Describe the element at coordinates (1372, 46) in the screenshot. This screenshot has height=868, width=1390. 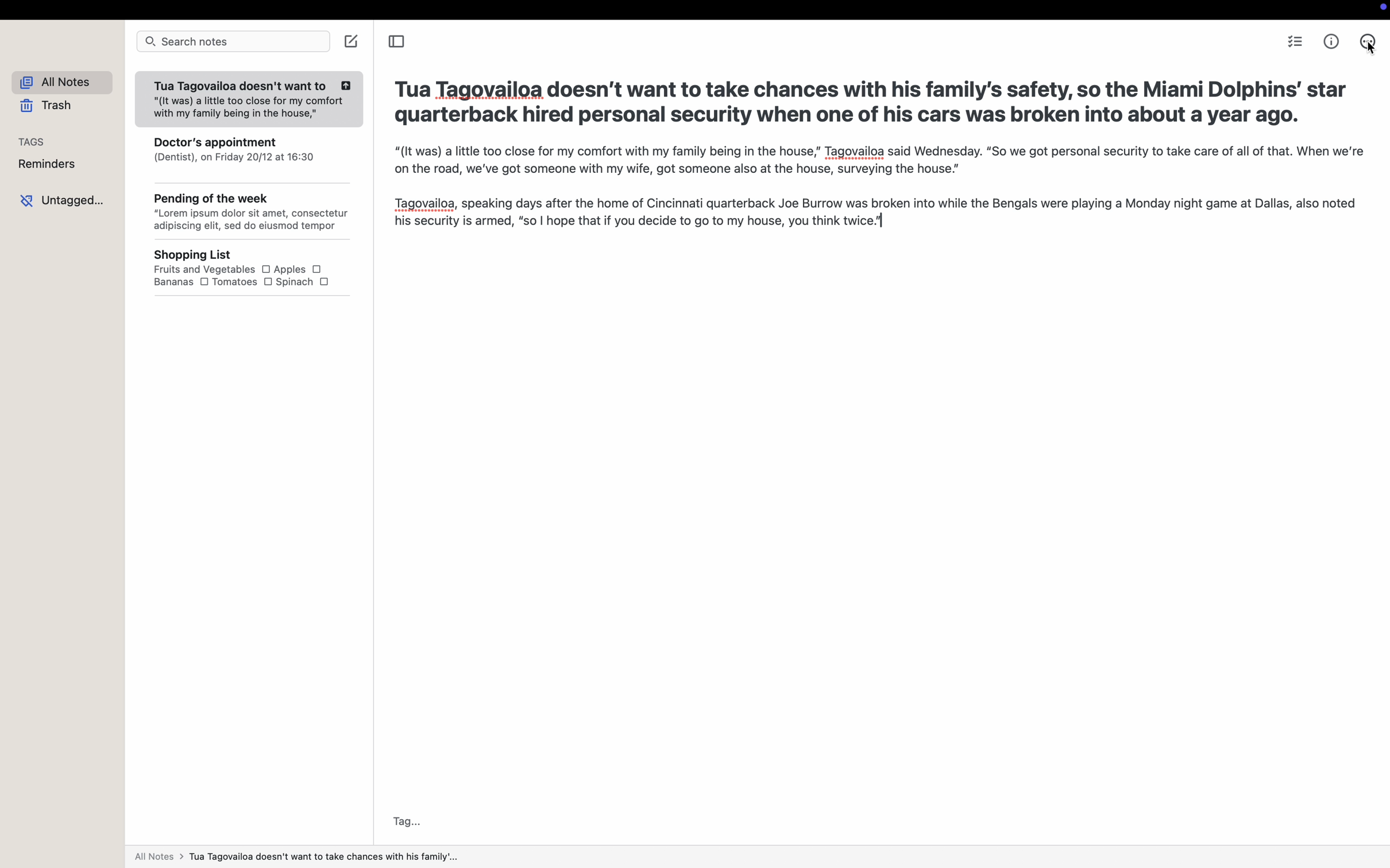
I see `cursor` at that location.